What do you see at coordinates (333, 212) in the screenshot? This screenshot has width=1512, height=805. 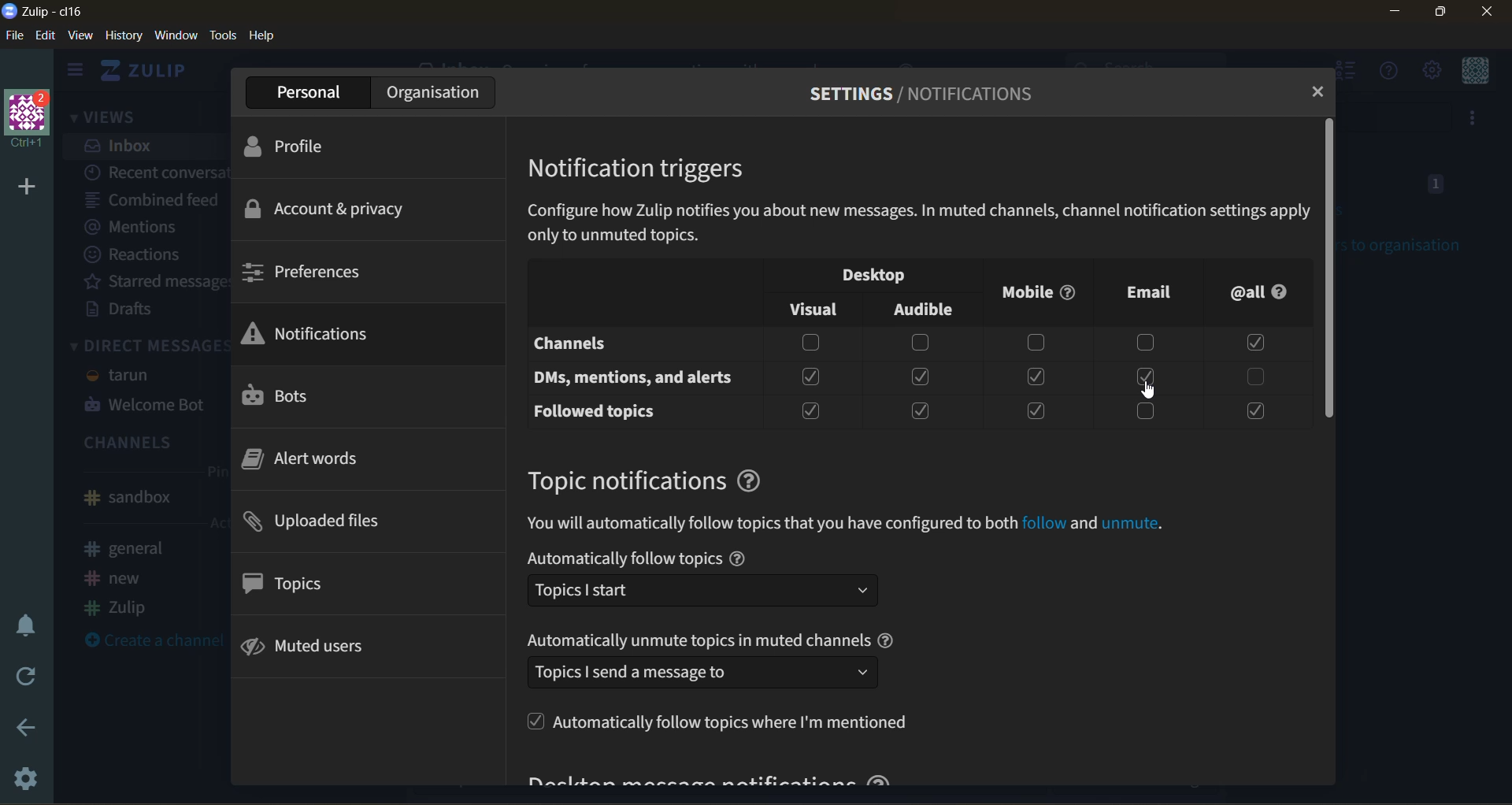 I see `account & privacy` at bounding box center [333, 212].